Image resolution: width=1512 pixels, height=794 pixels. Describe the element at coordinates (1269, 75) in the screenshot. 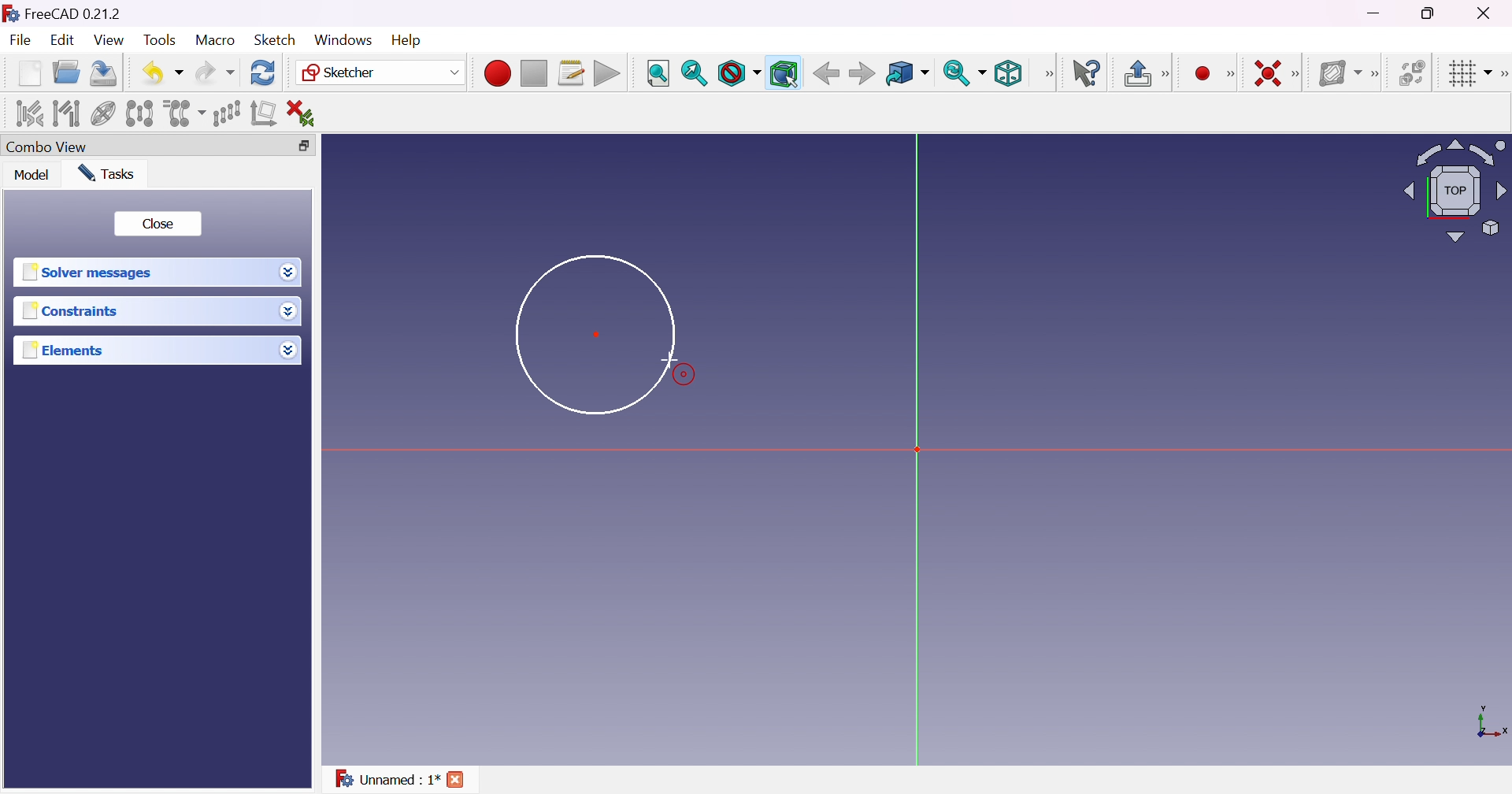

I see `Constrain conincident` at that location.